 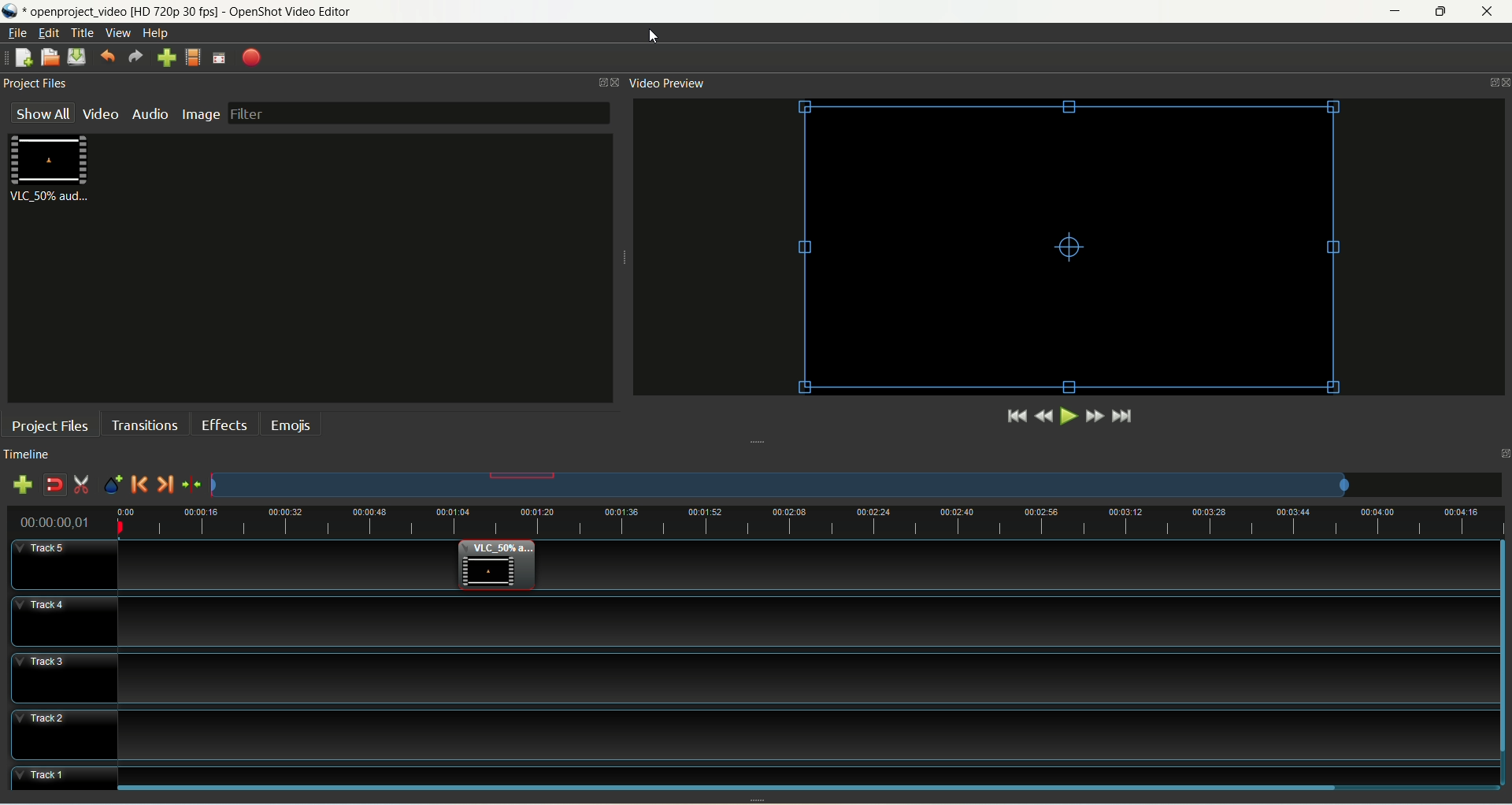 I want to click on audio, so click(x=148, y=114).